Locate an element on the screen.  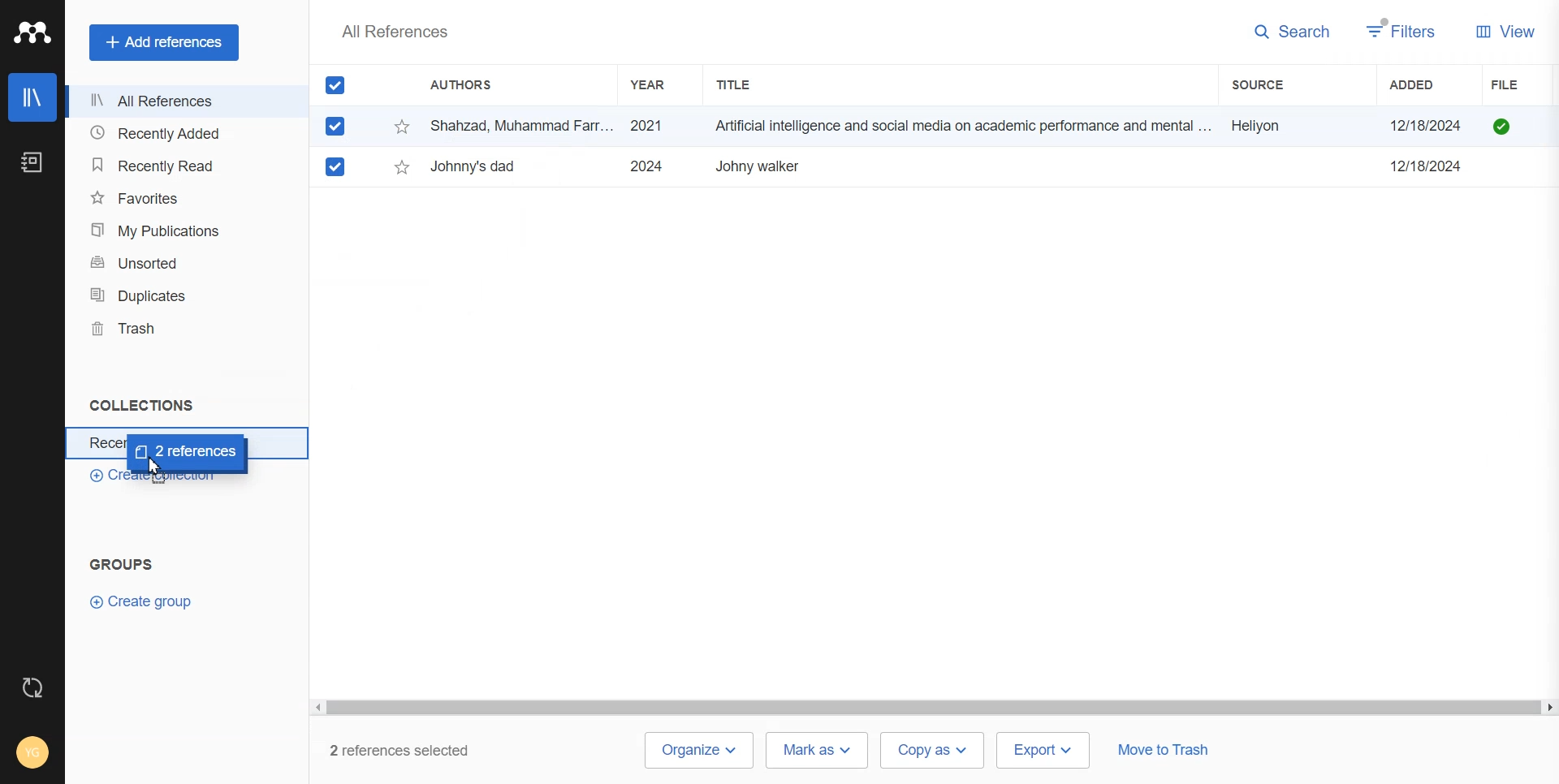
Added is located at coordinates (1428, 84).